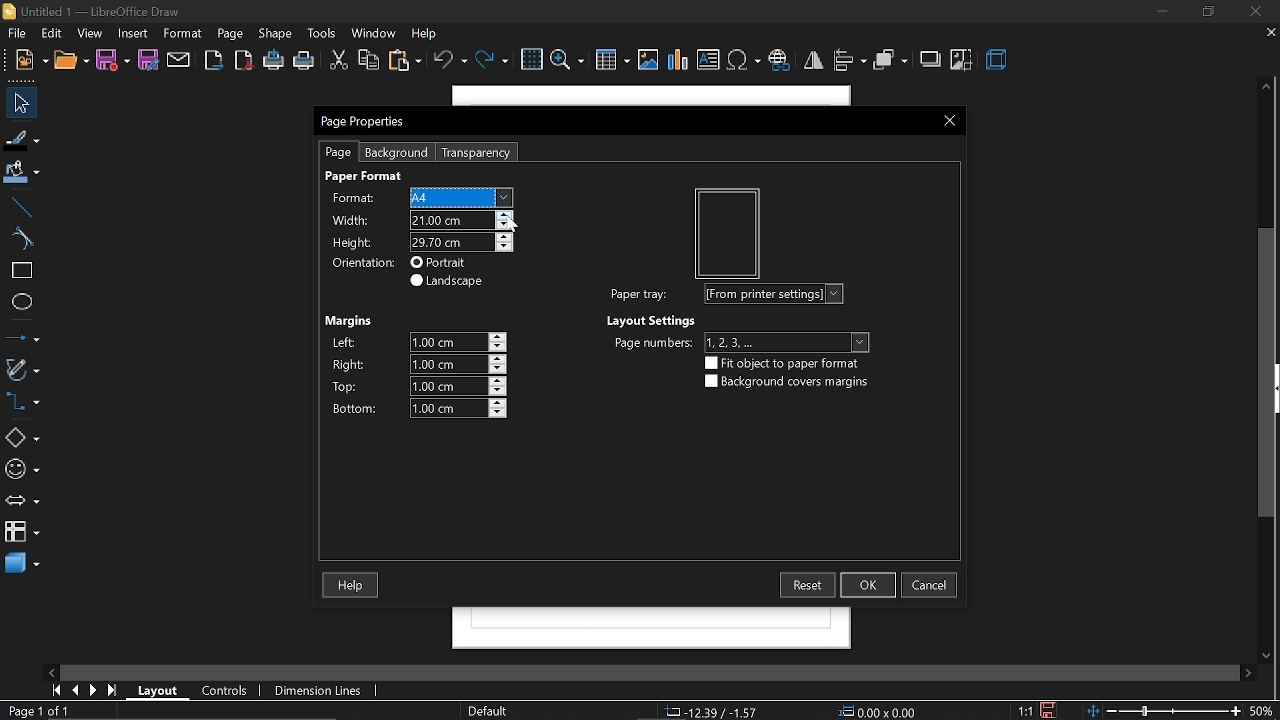 Image resolution: width=1280 pixels, height=720 pixels. What do you see at coordinates (1204, 12) in the screenshot?
I see `restore down` at bounding box center [1204, 12].